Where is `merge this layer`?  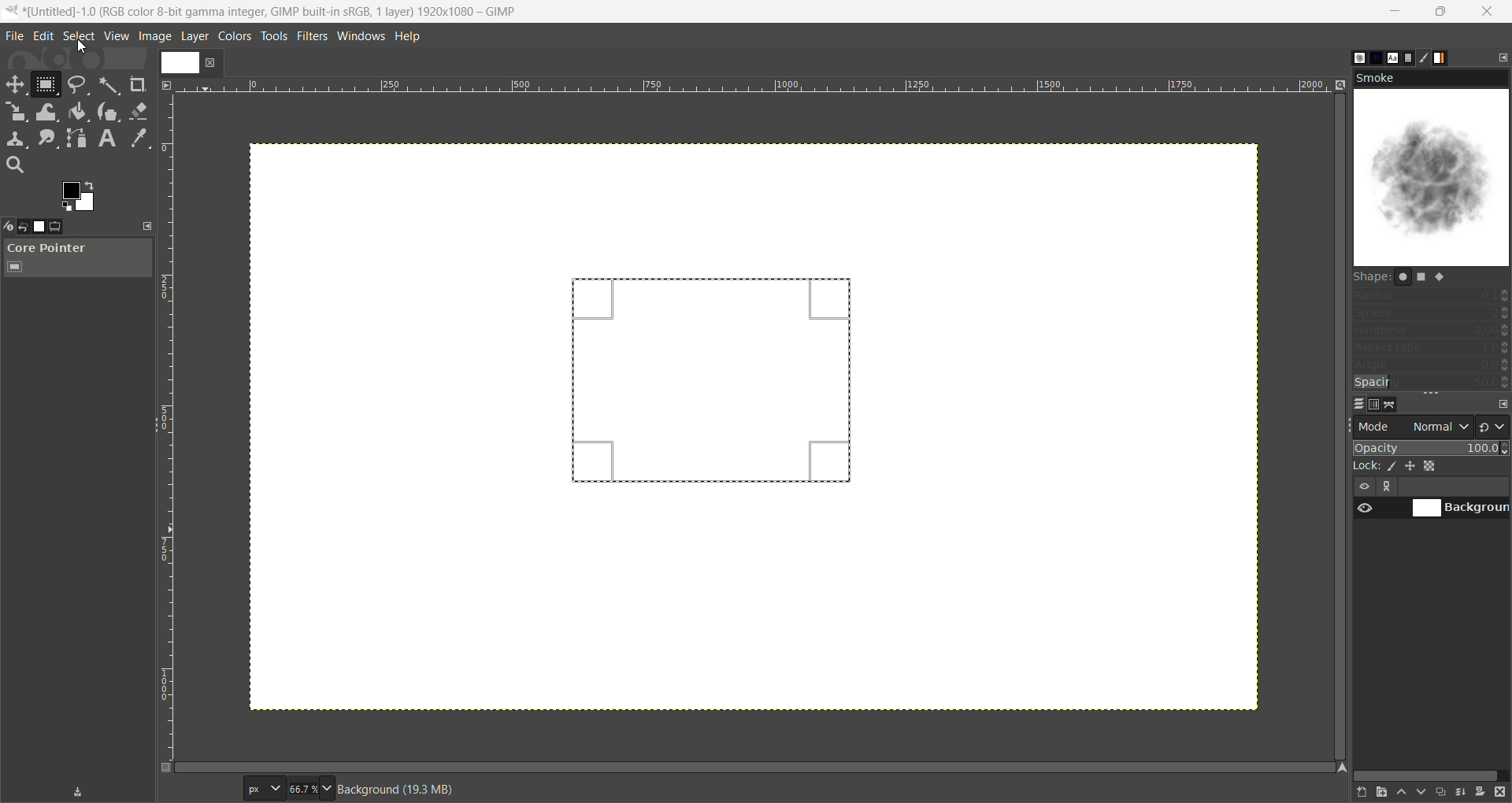
merge this layer is located at coordinates (1458, 792).